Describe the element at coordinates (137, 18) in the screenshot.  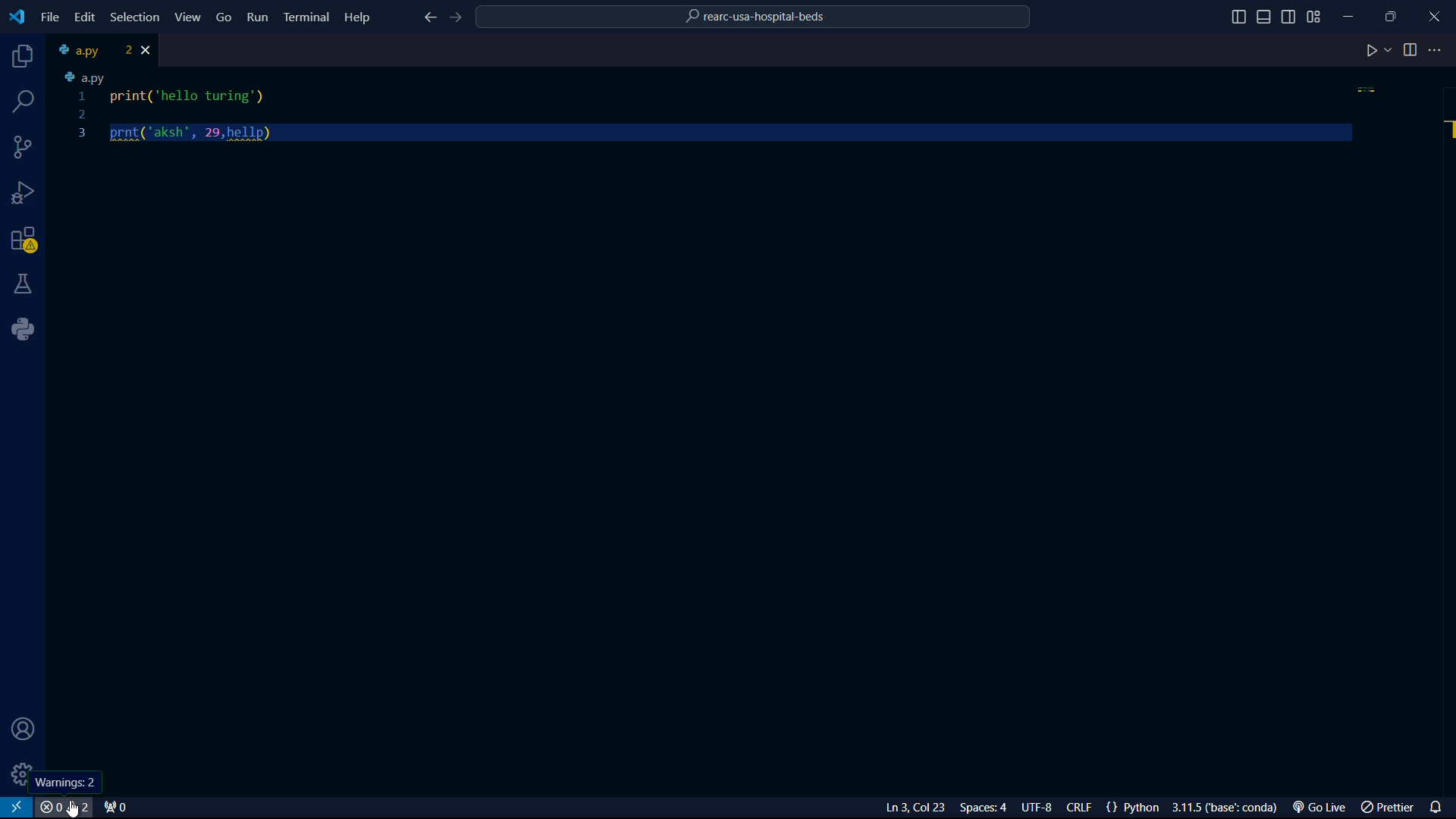
I see `Selection` at that location.